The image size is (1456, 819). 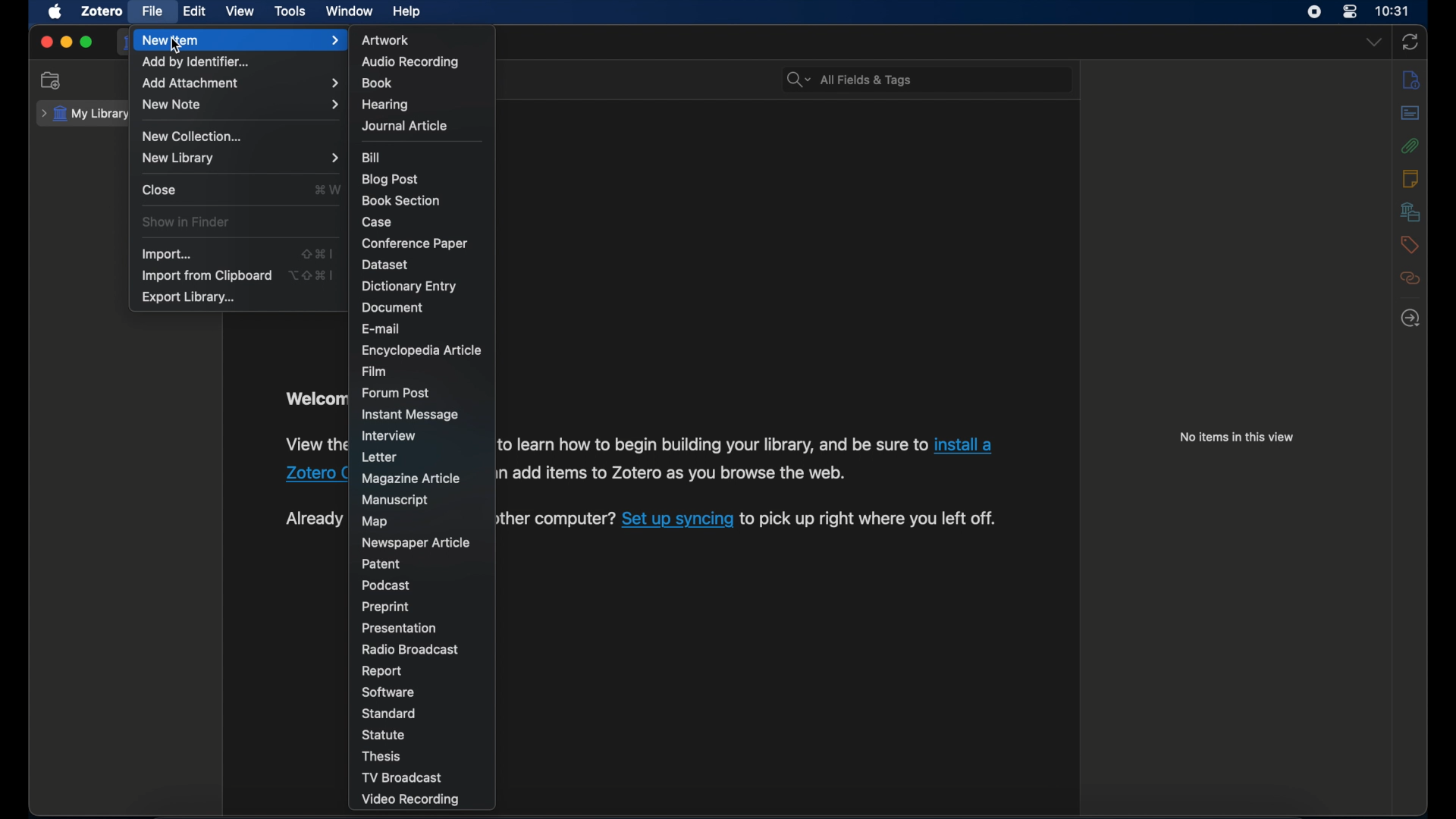 I want to click on add by identifier, so click(x=196, y=64).